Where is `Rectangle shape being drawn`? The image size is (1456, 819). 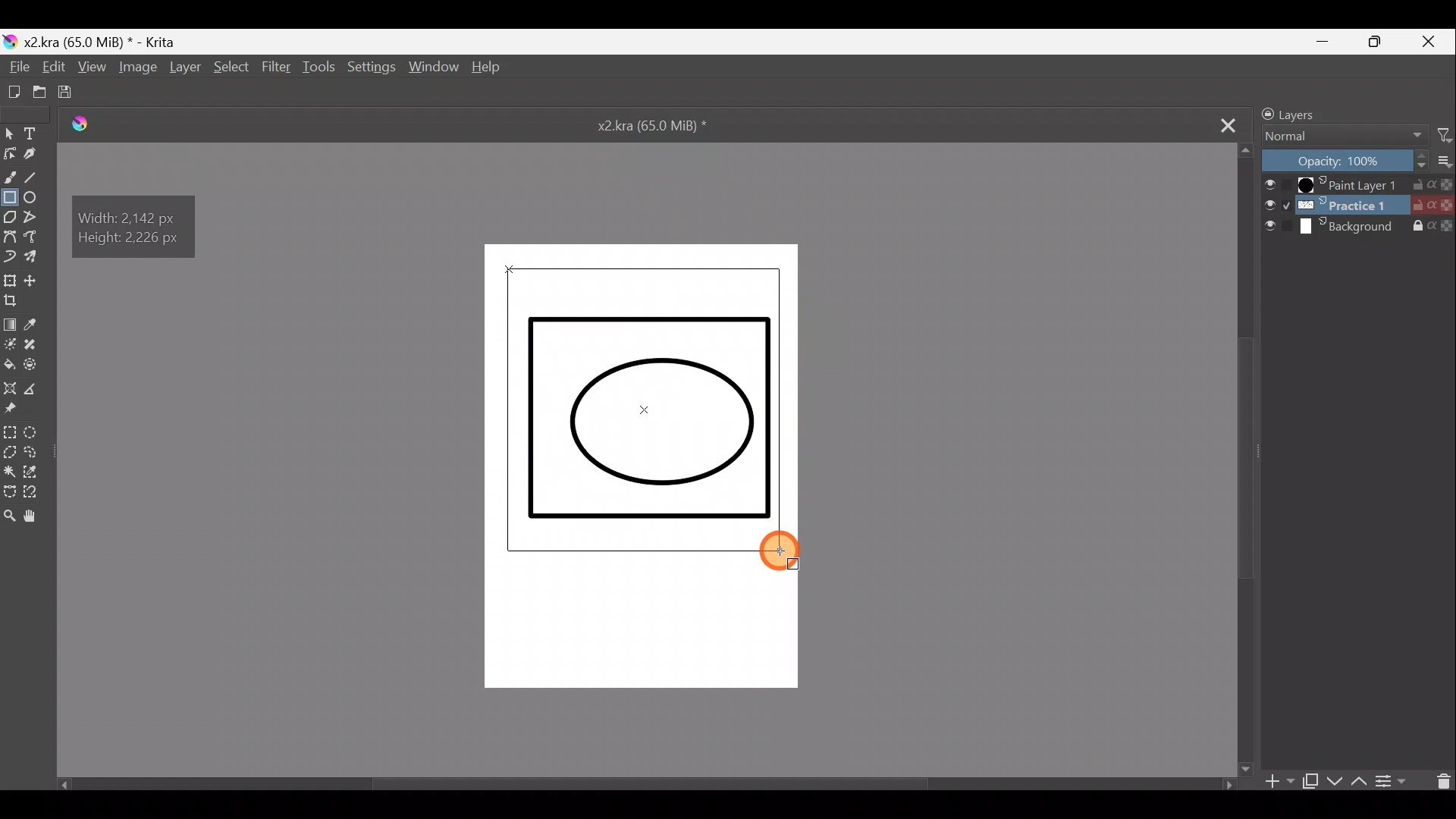 Rectangle shape being drawn is located at coordinates (643, 409).